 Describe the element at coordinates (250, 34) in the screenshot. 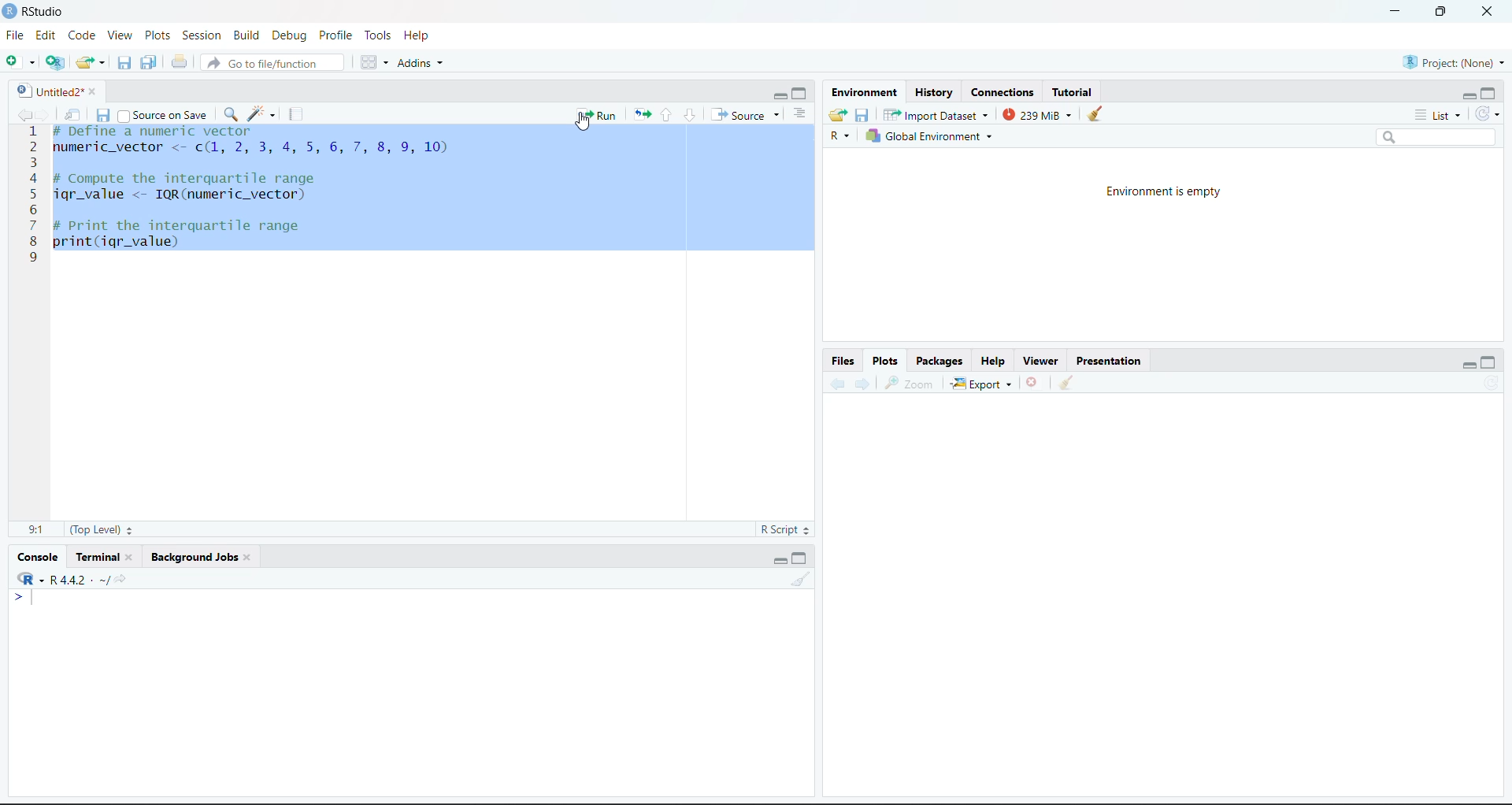

I see `BUild` at that location.